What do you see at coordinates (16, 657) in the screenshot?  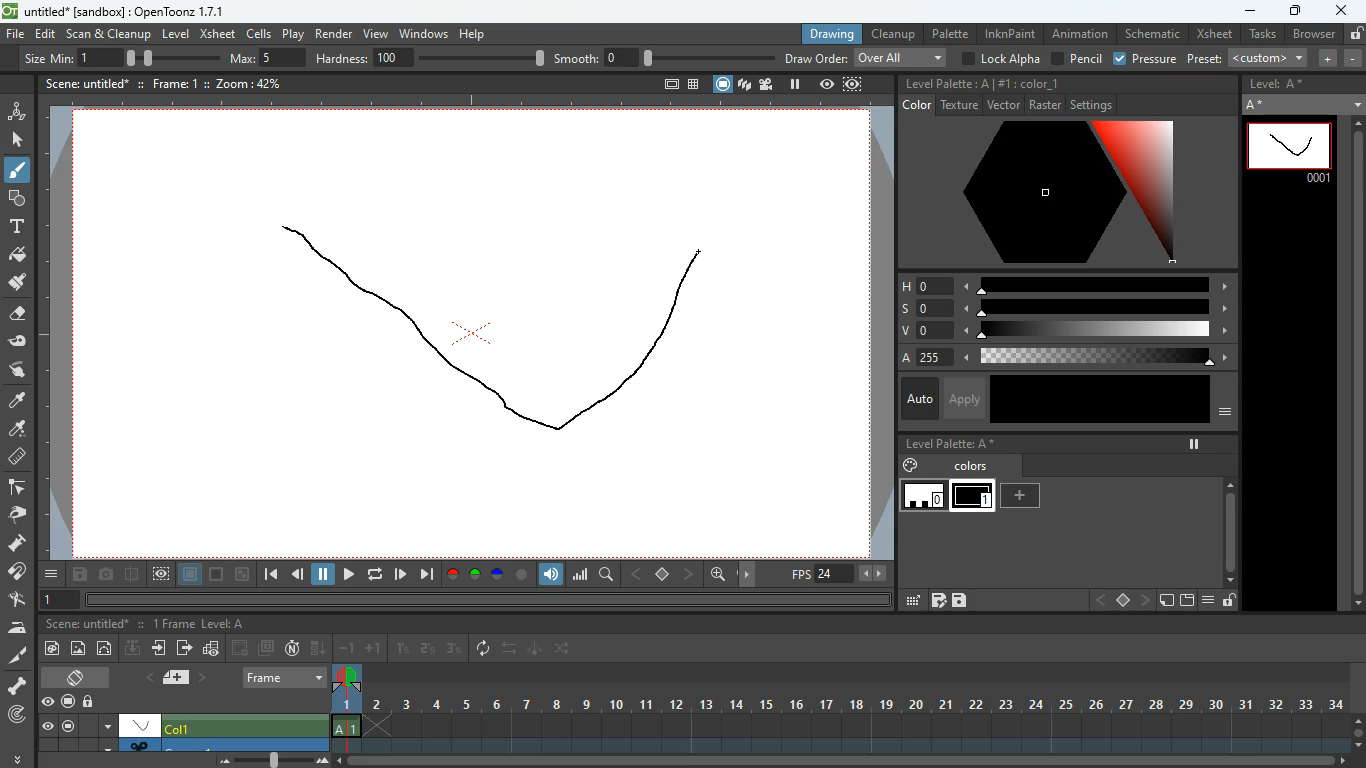 I see `cut` at bounding box center [16, 657].